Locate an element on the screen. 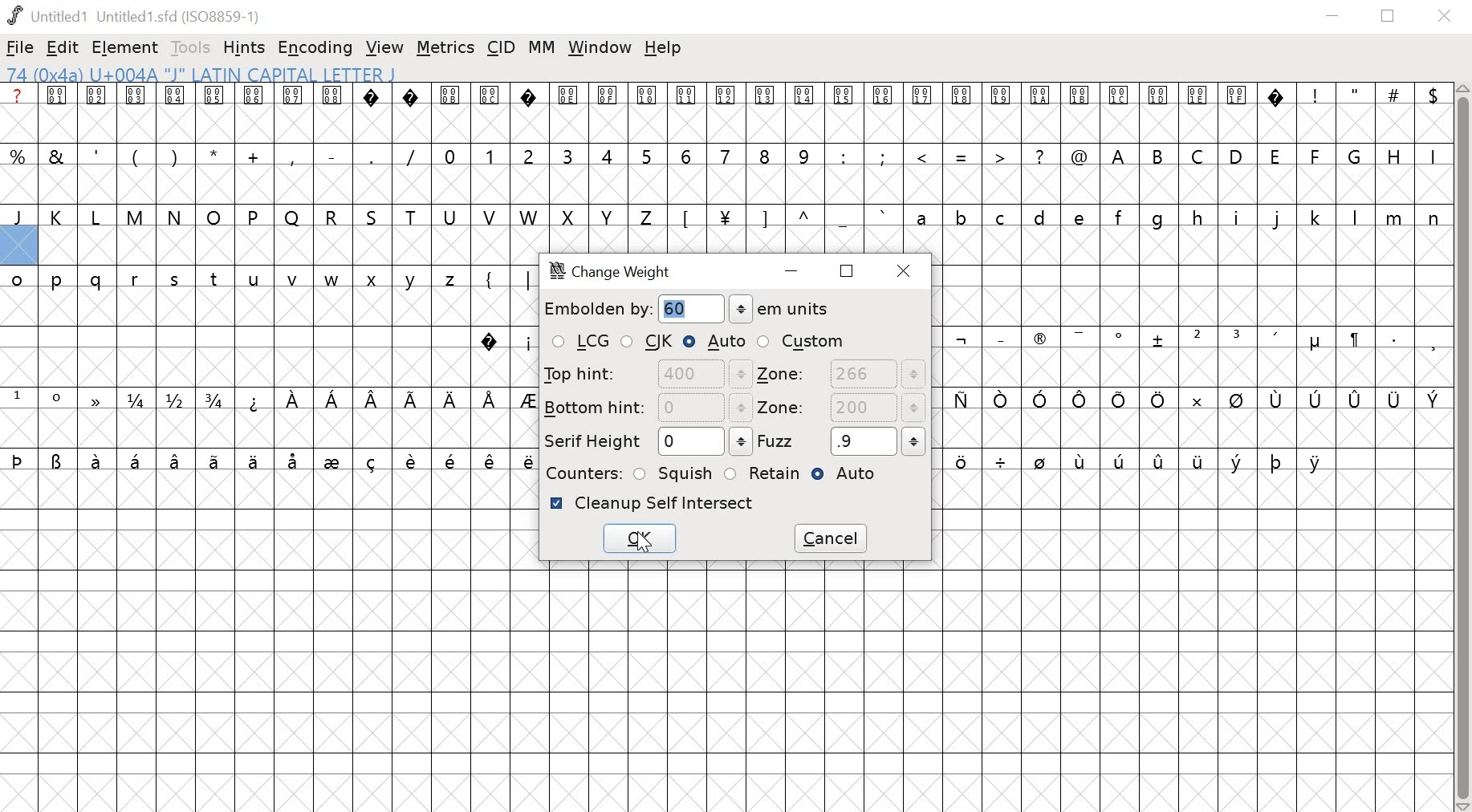  SERIF HEIGHT is located at coordinates (645, 442).